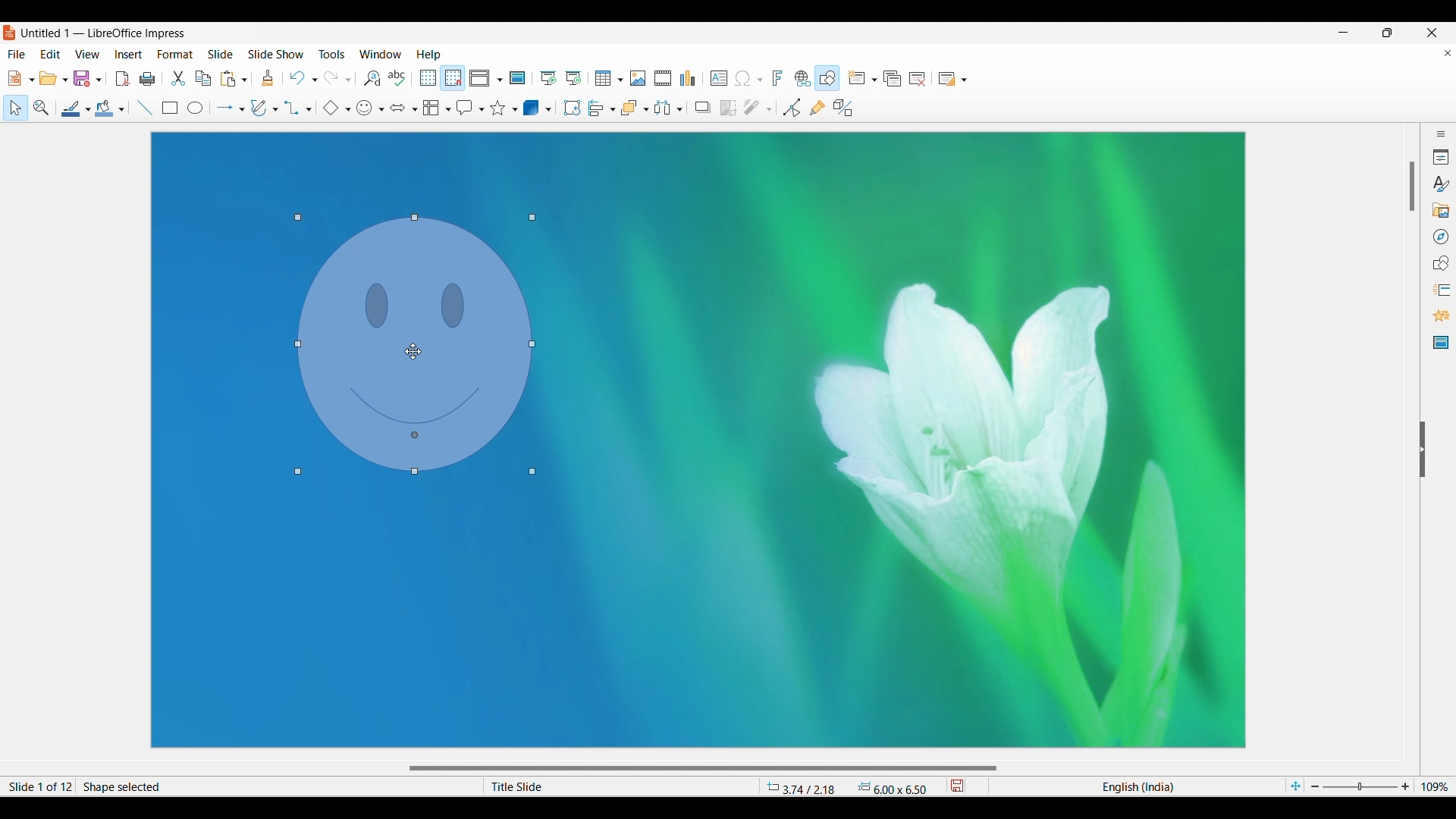 The width and height of the screenshot is (1456, 819). I want to click on Fill color selected, so click(105, 108).